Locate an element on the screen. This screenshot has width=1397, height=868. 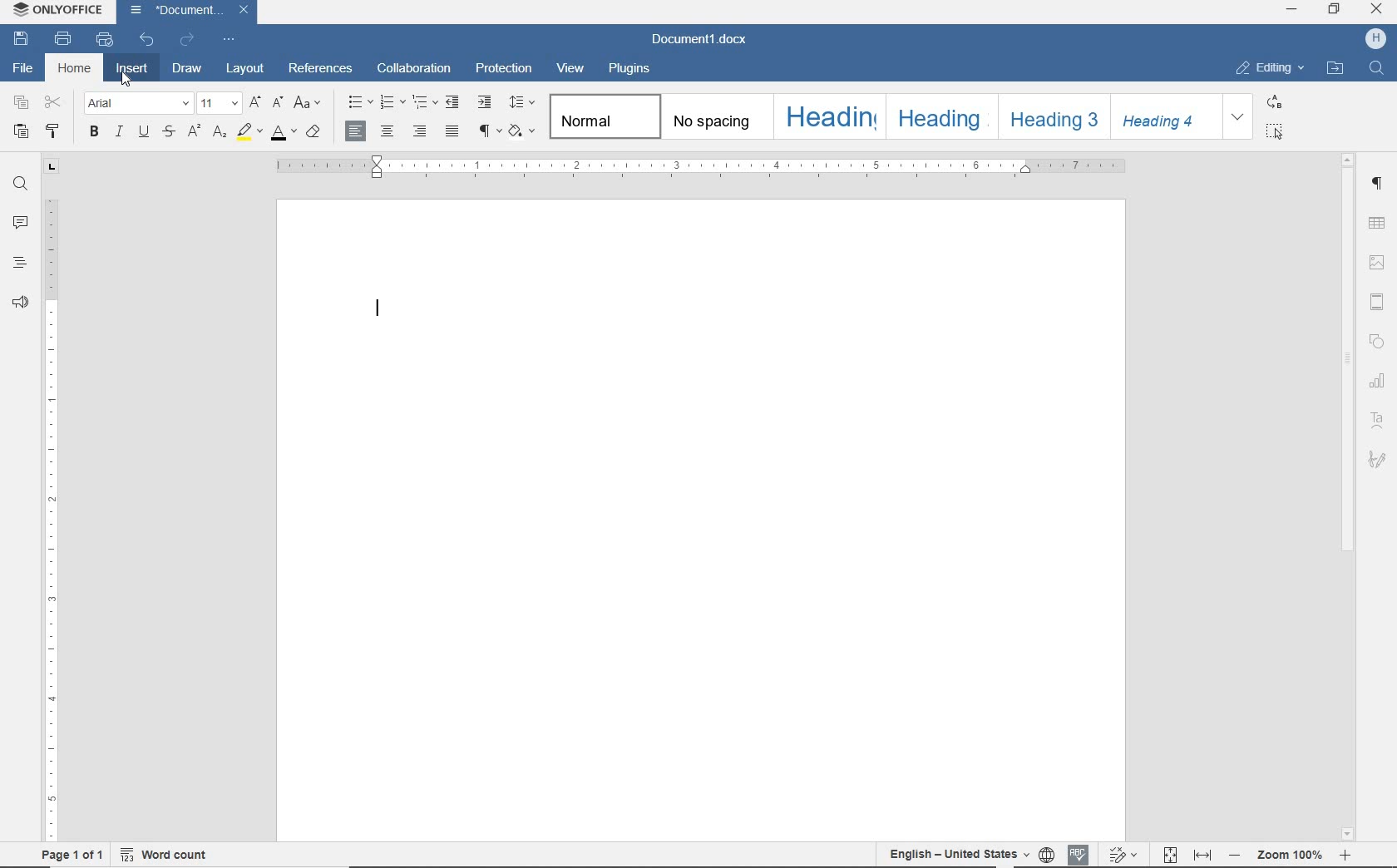
subscript is located at coordinates (219, 133).